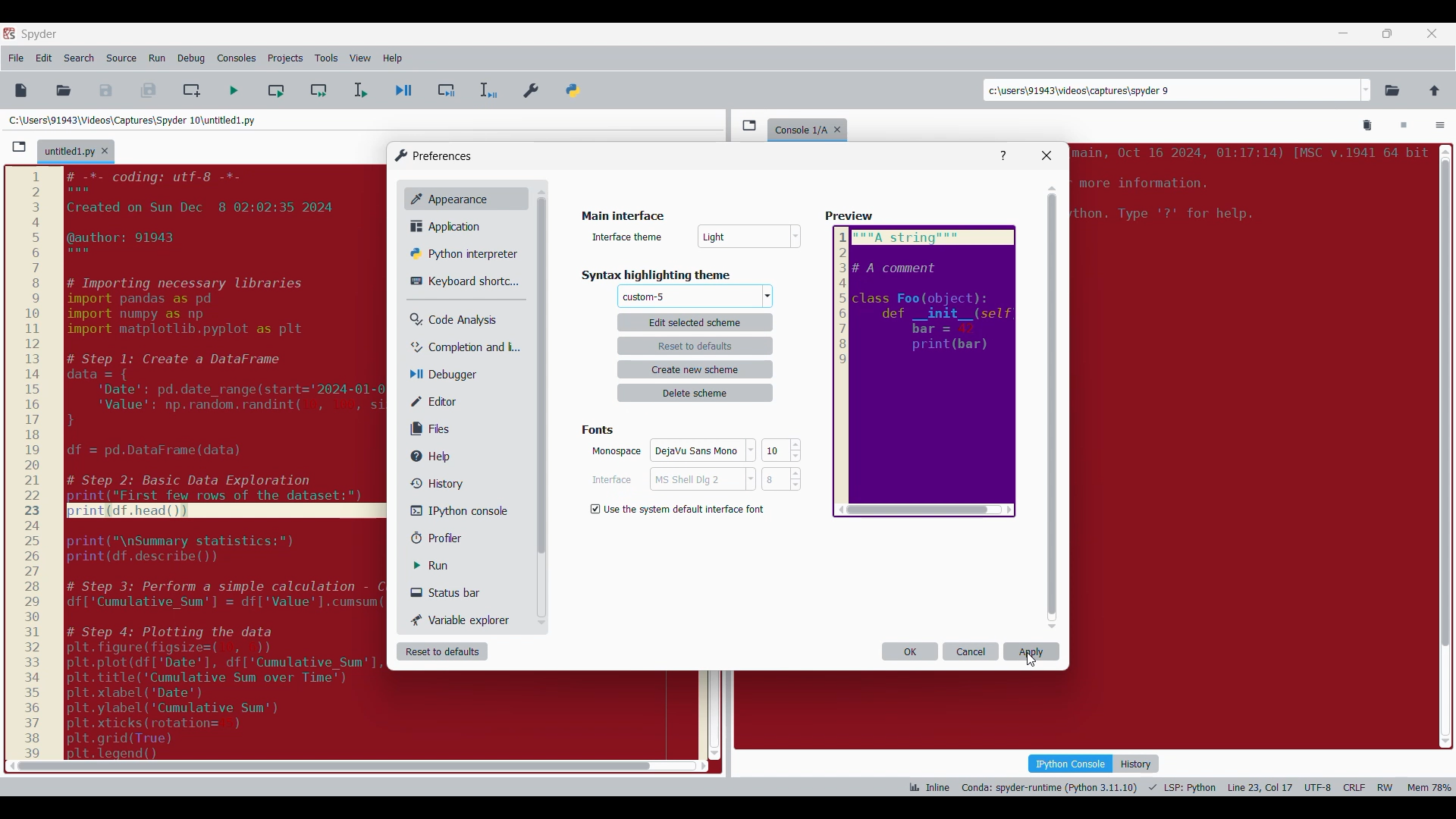  What do you see at coordinates (1178, 787) in the screenshot?
I see `Code details` at bounding box center [1178, 787].